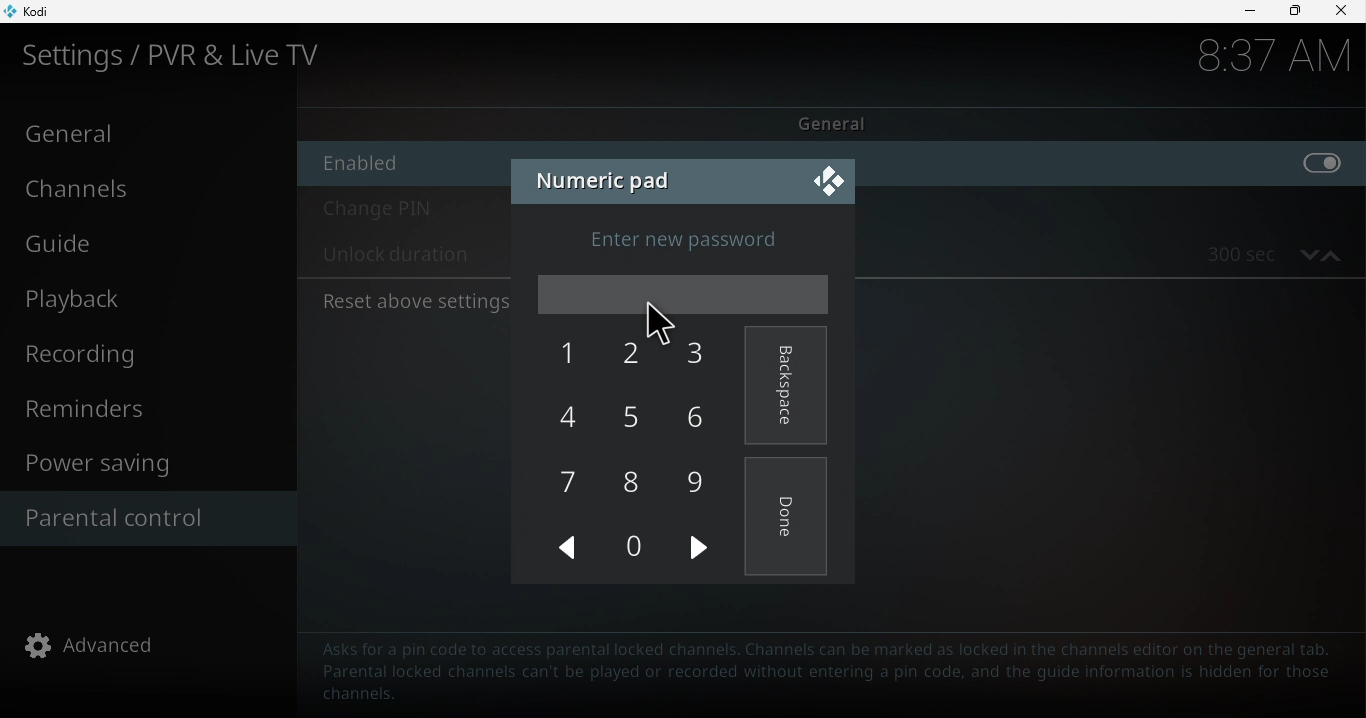 This screenshot has width=1366, height=718. Describe the element at coordinates (1249, 13) in the screenshot. I see `Minimize` at that location.